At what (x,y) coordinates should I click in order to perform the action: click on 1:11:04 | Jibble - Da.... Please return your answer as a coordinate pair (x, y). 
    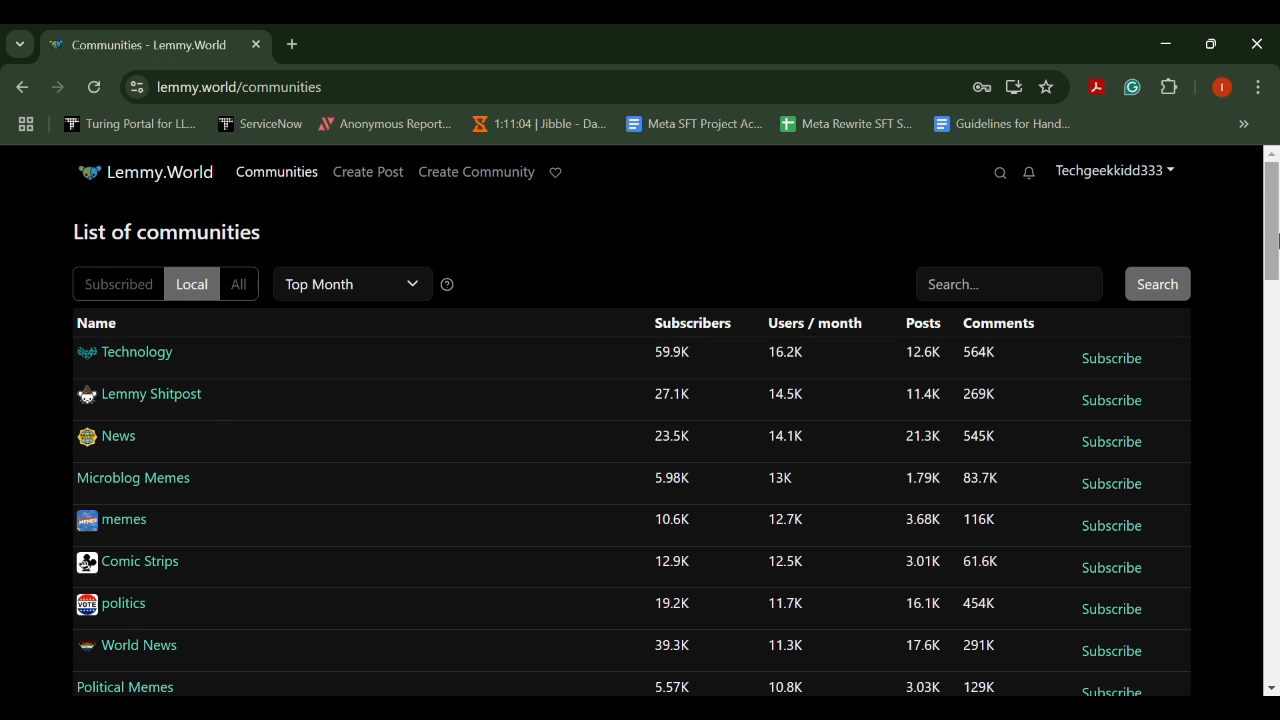
    Looking at the image, I should click on (538, 124).